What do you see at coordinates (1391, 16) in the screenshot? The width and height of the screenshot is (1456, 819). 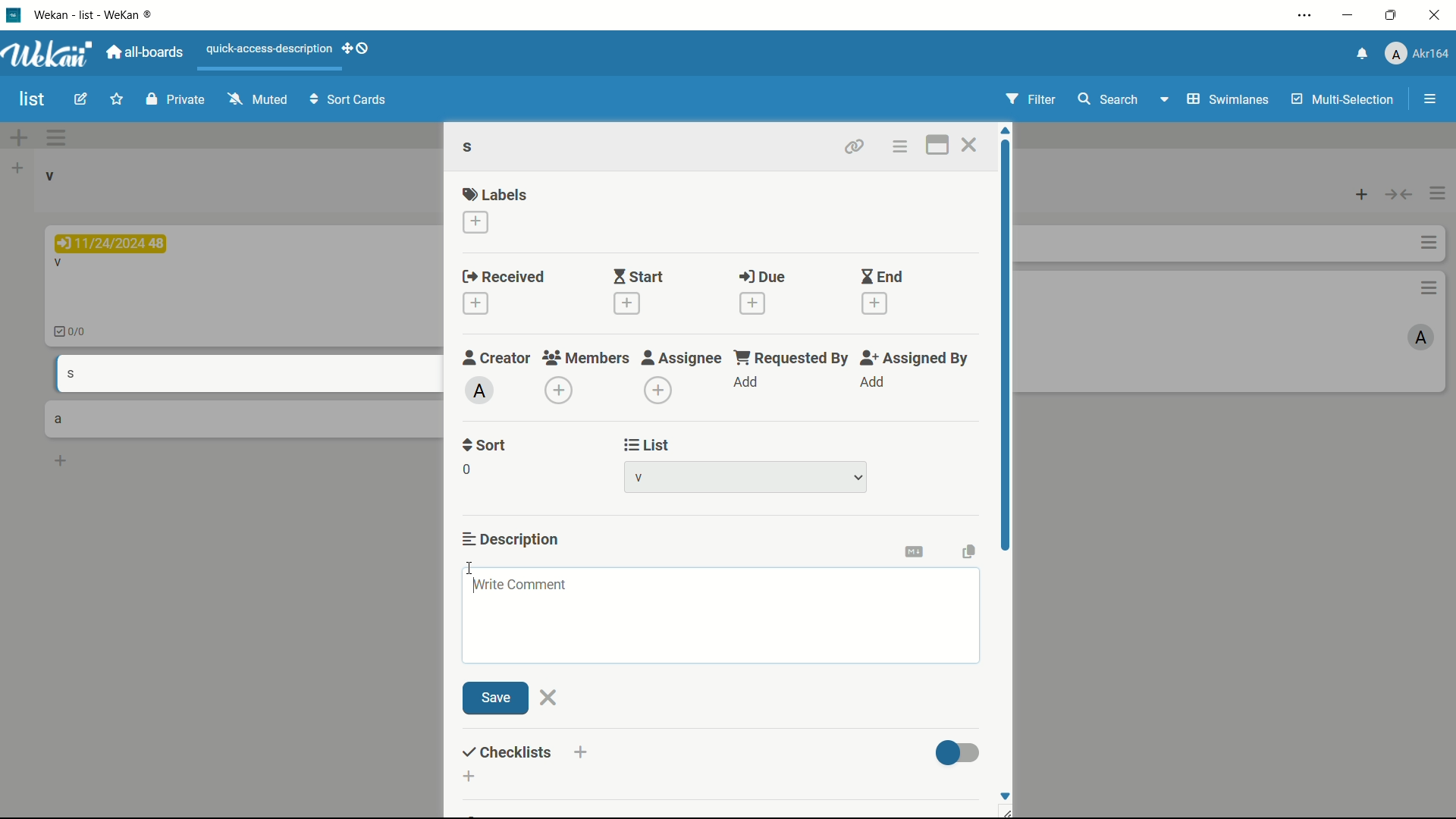 I see `maximize` at bounding box center [1391, 16].